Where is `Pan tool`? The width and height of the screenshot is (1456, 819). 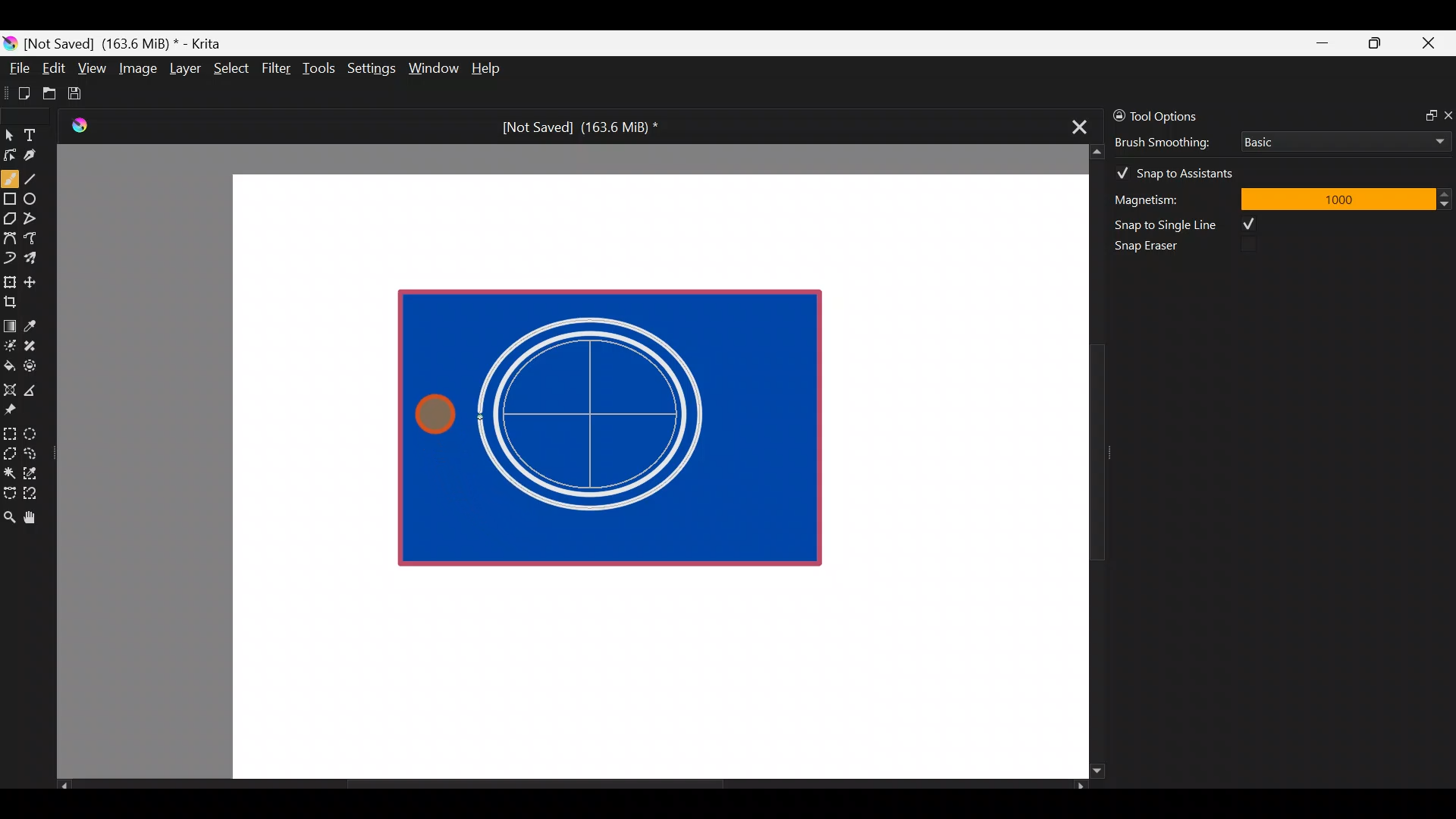 Pan tool is located at coordinates (36, 518).